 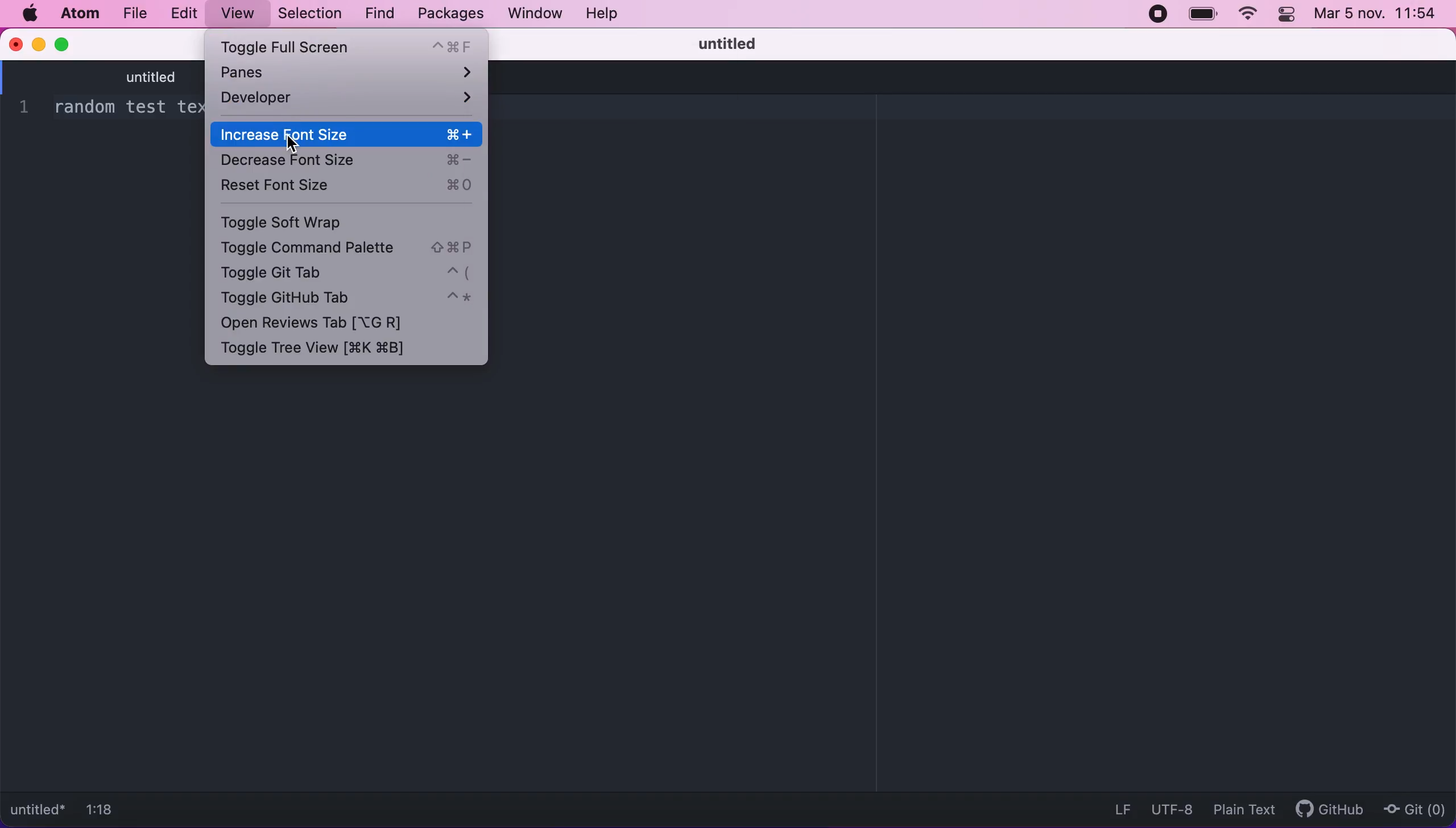 I want to click on minimize, so click(x=38, y=43).